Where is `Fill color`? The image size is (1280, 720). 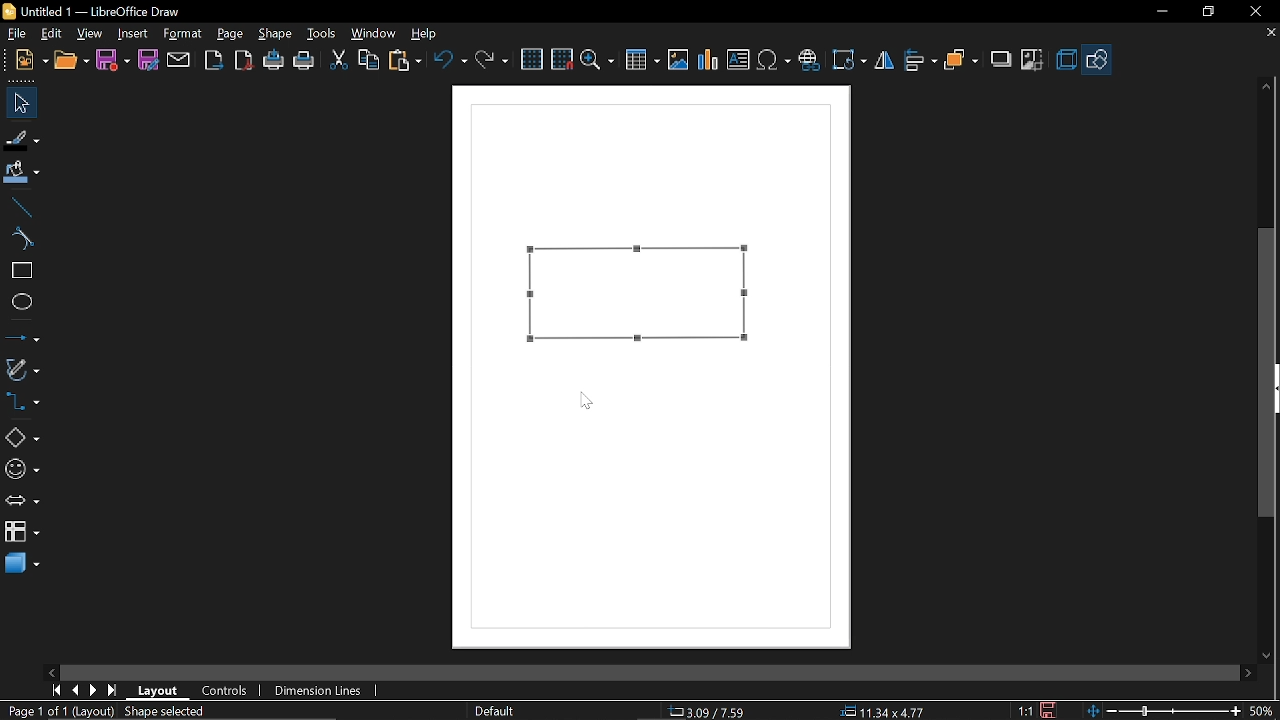 Fill color is located at coordinates (22, 175).